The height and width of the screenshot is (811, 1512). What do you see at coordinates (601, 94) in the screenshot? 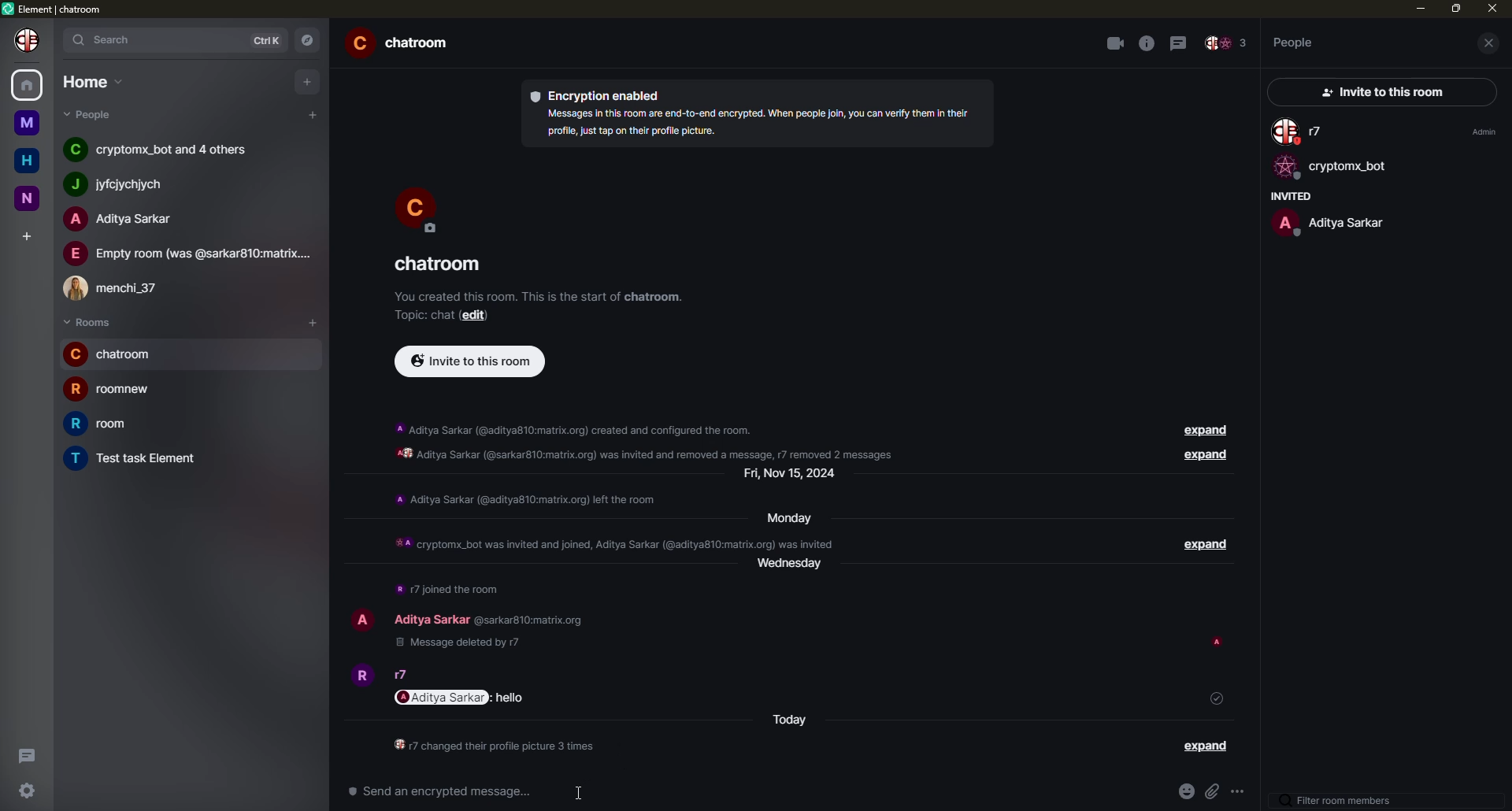
I see `encryption enabled` at bounding box center [601, 94].